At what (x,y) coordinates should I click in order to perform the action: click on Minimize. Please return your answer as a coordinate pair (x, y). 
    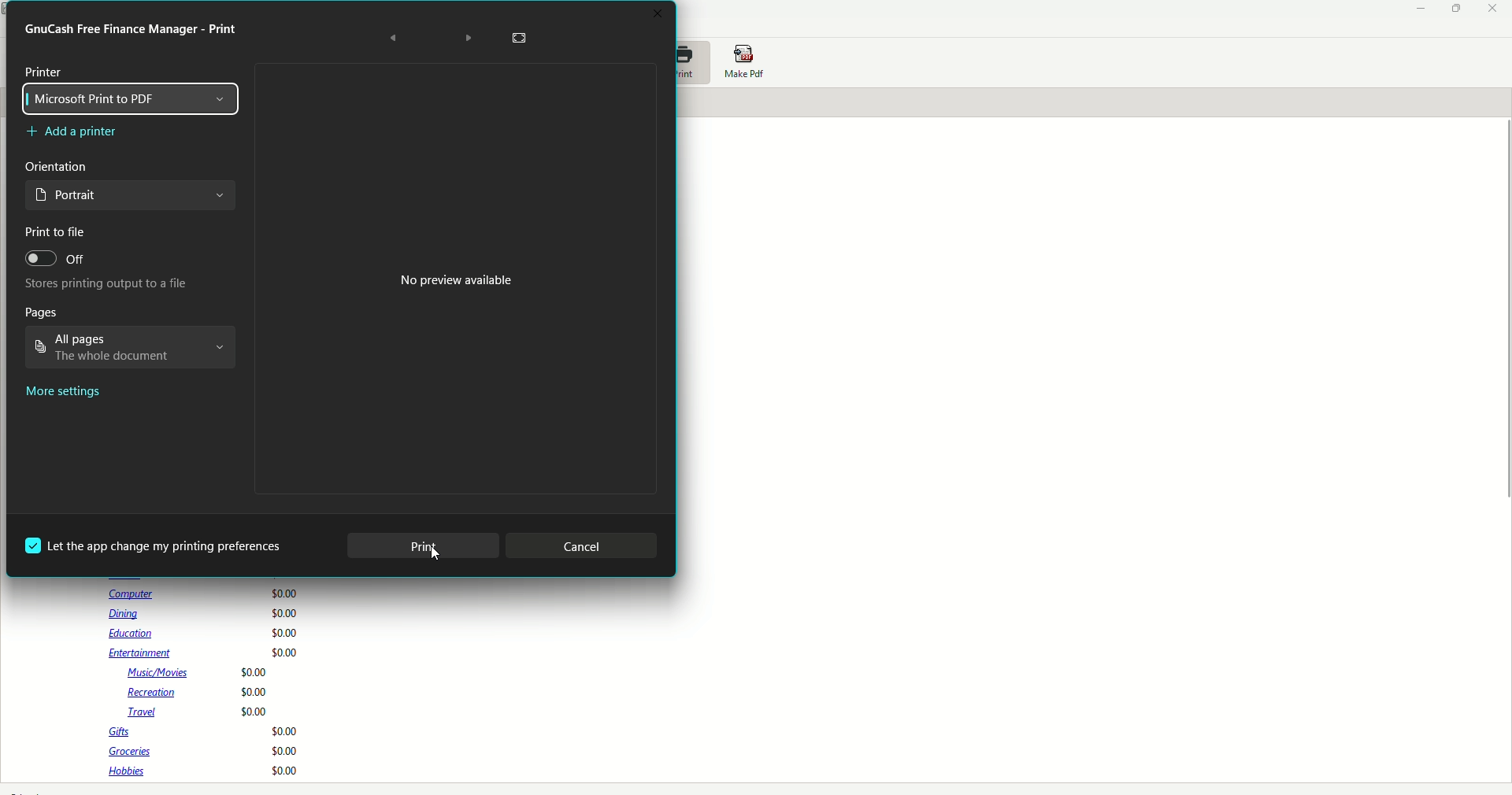
    Looking at the image, I should click on (1420, 9).